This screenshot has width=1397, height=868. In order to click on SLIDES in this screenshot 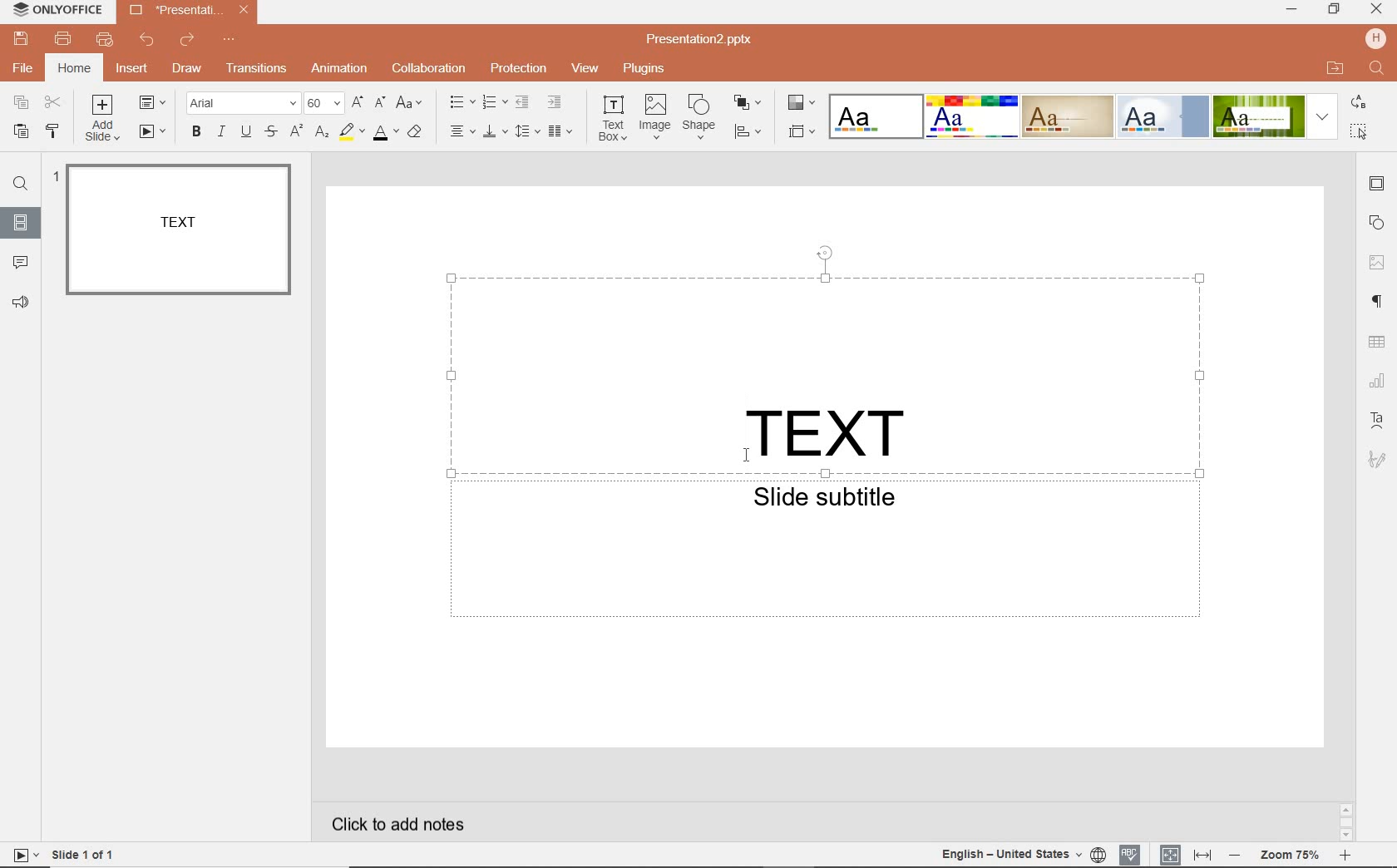, I will do `click(23, 224)`.